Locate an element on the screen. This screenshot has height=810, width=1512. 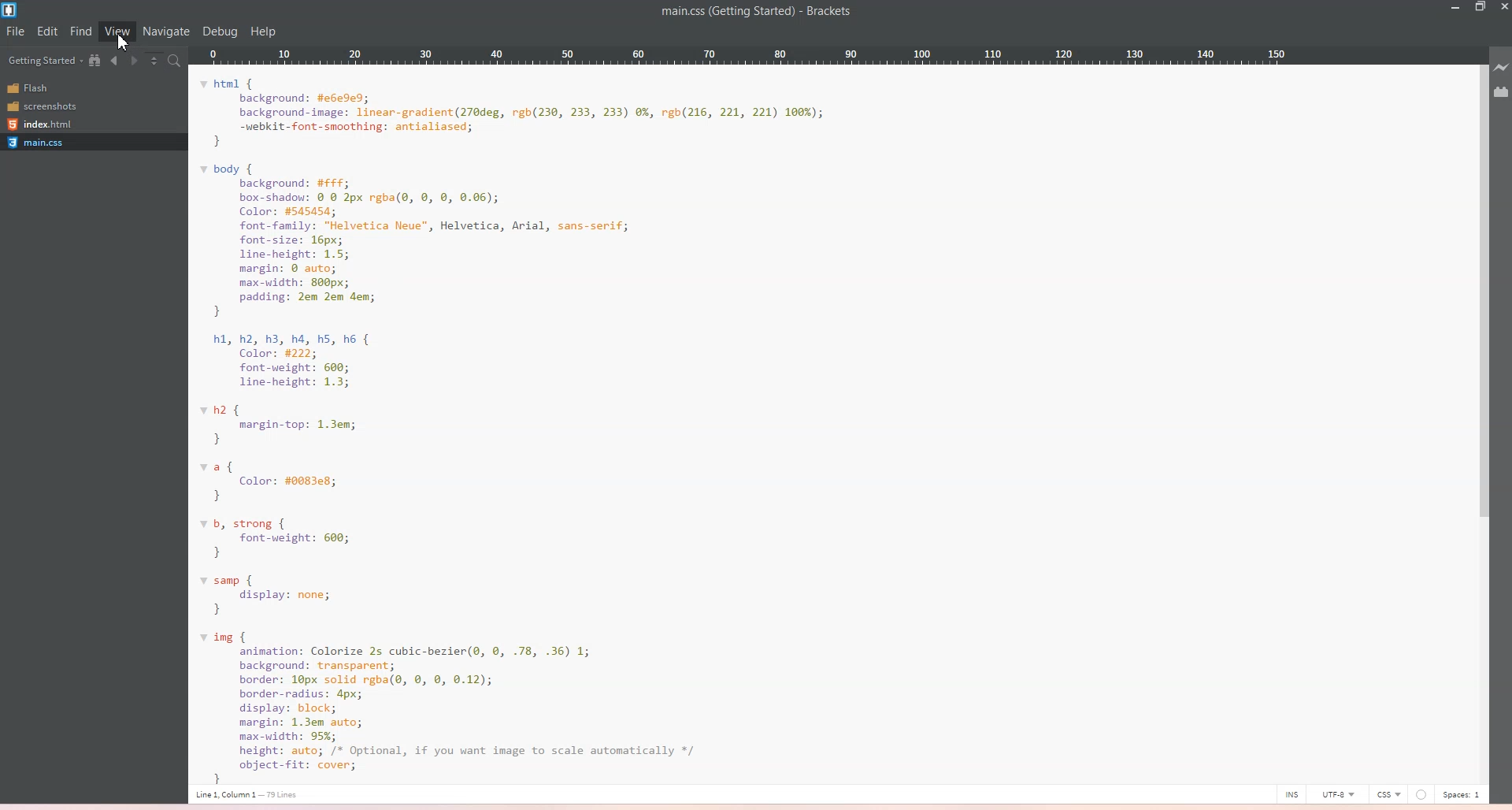
Navigate Forward is located at coordinates (135, 61).